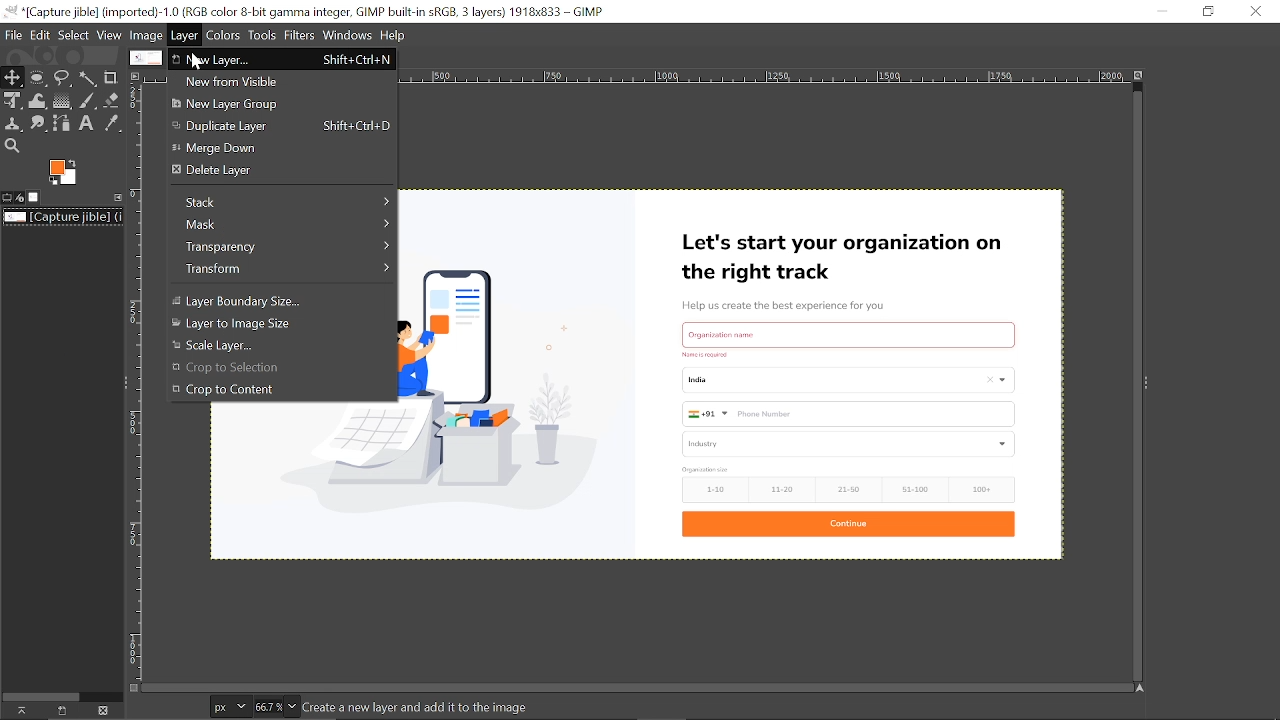  I want to click on Zoom tool, so click(11, 145).